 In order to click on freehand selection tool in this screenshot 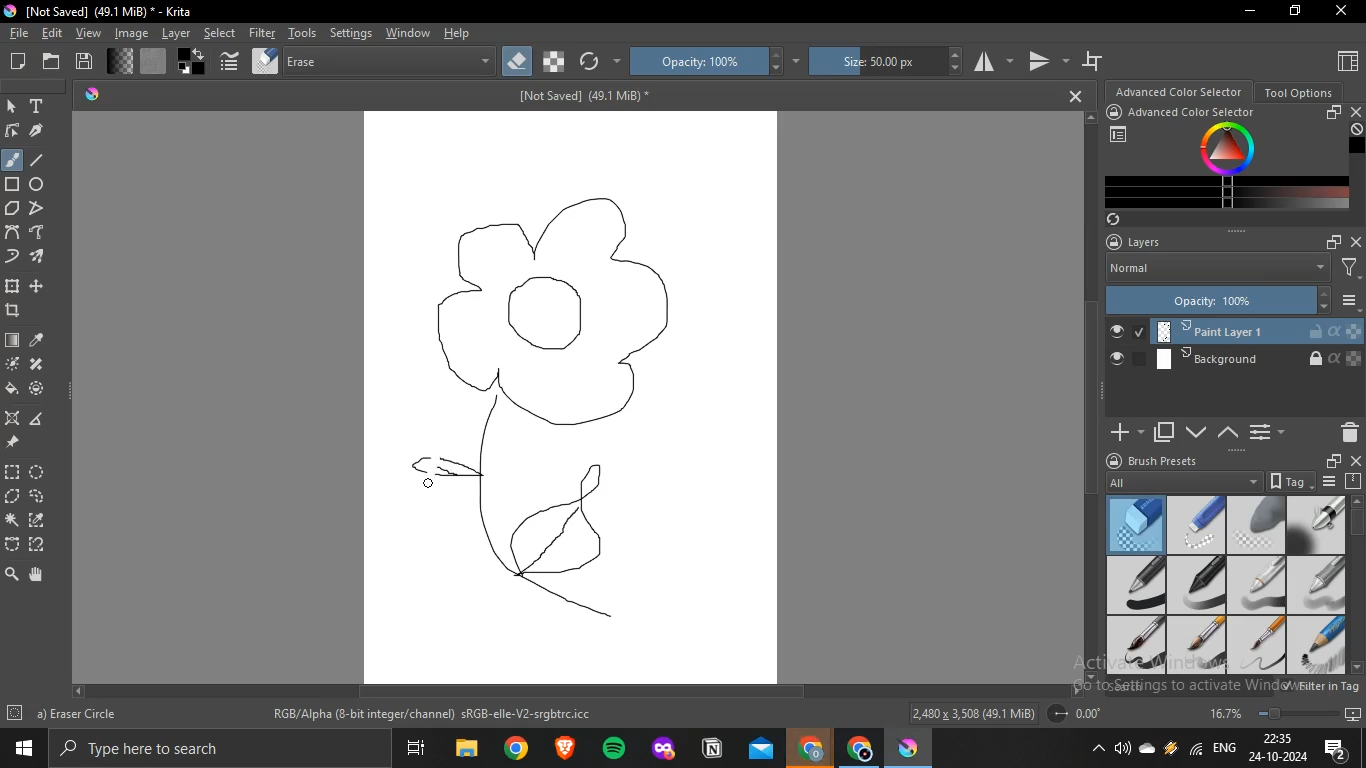, I will do `click(37, 495)`.